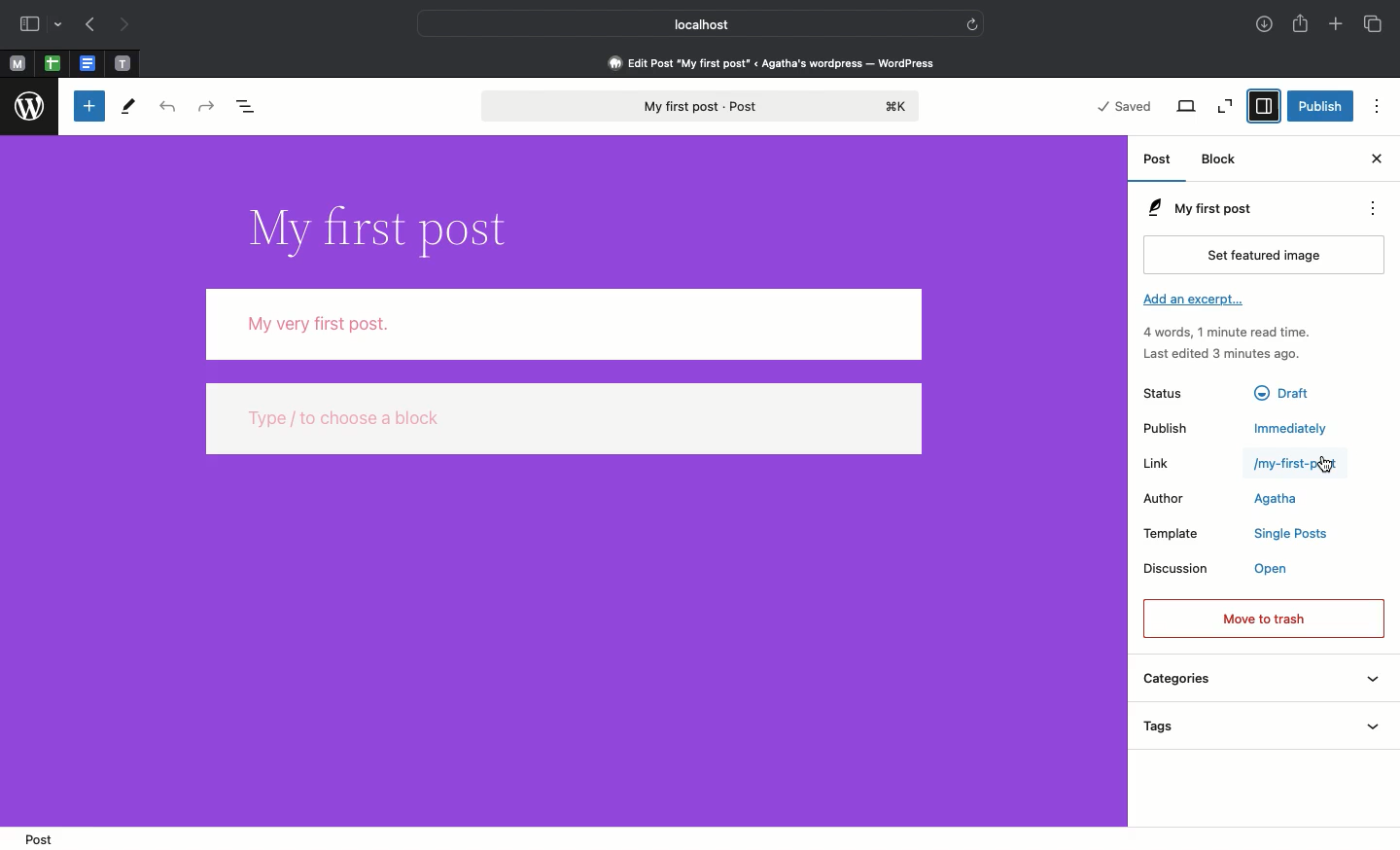  I want to click on My first post, so click(1227, 206).